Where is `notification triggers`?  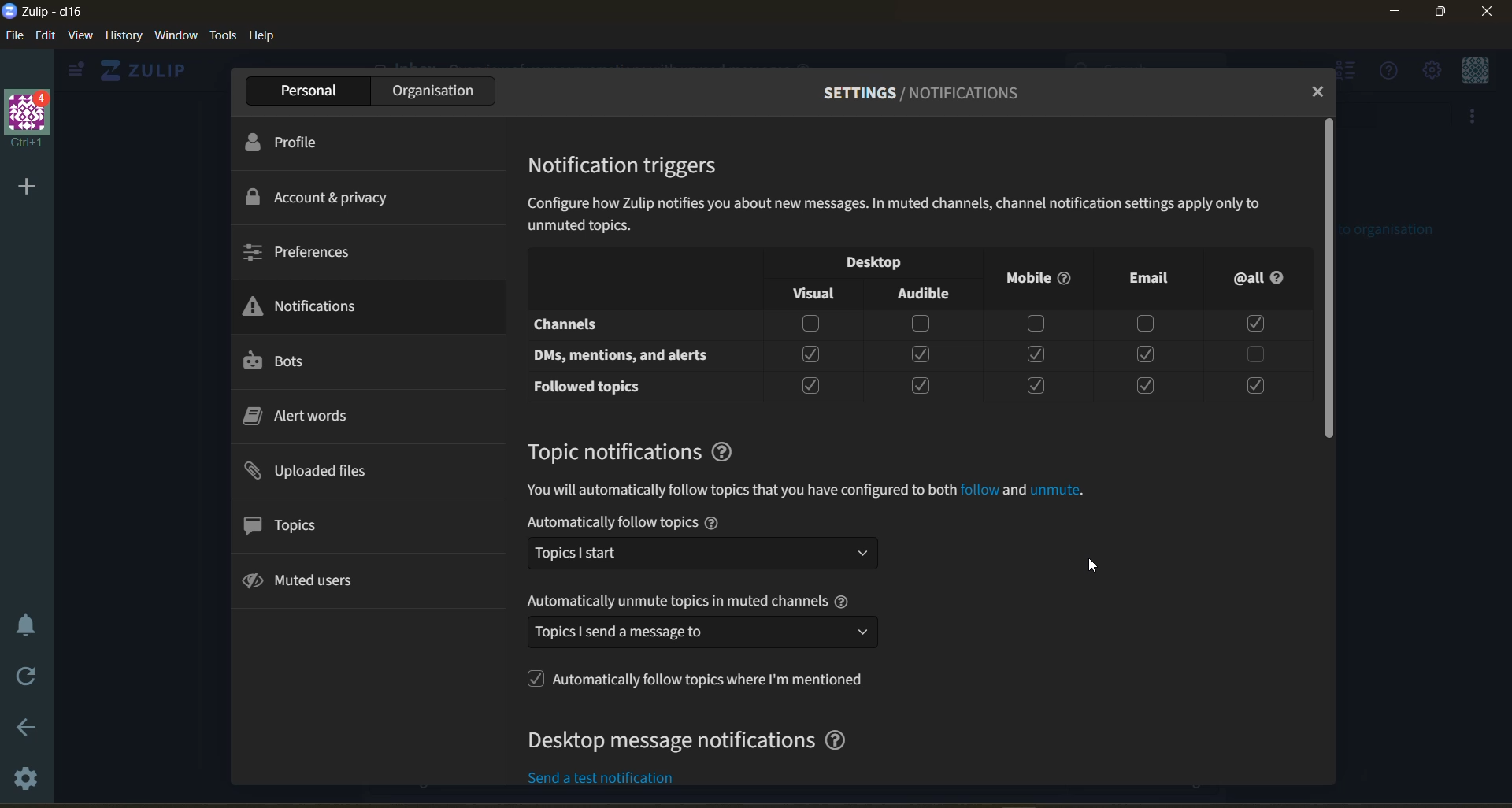 notification triggers is located at coordinates (634, 169).